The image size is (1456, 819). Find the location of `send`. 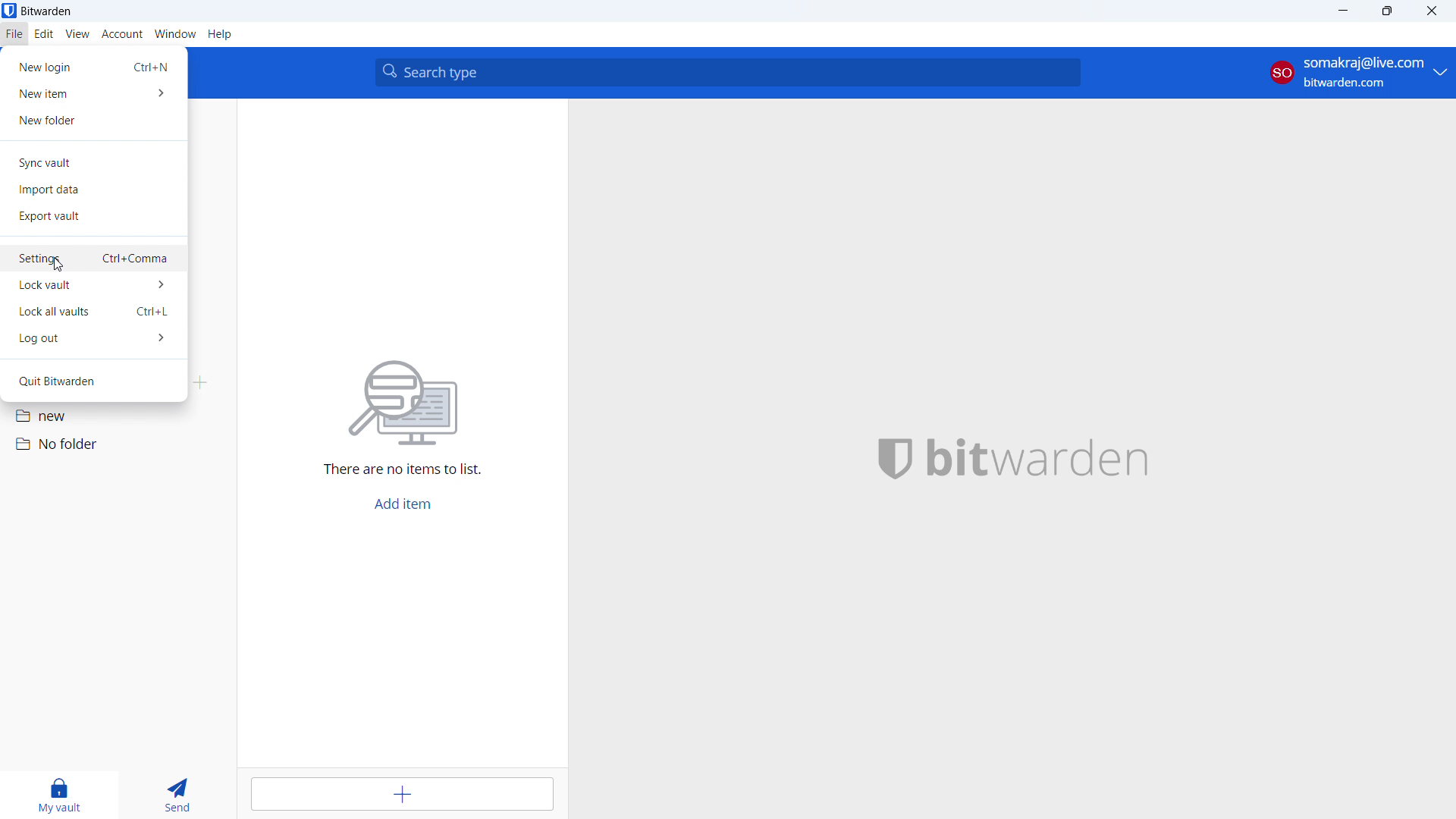

send is located at coordinates (174, 795).